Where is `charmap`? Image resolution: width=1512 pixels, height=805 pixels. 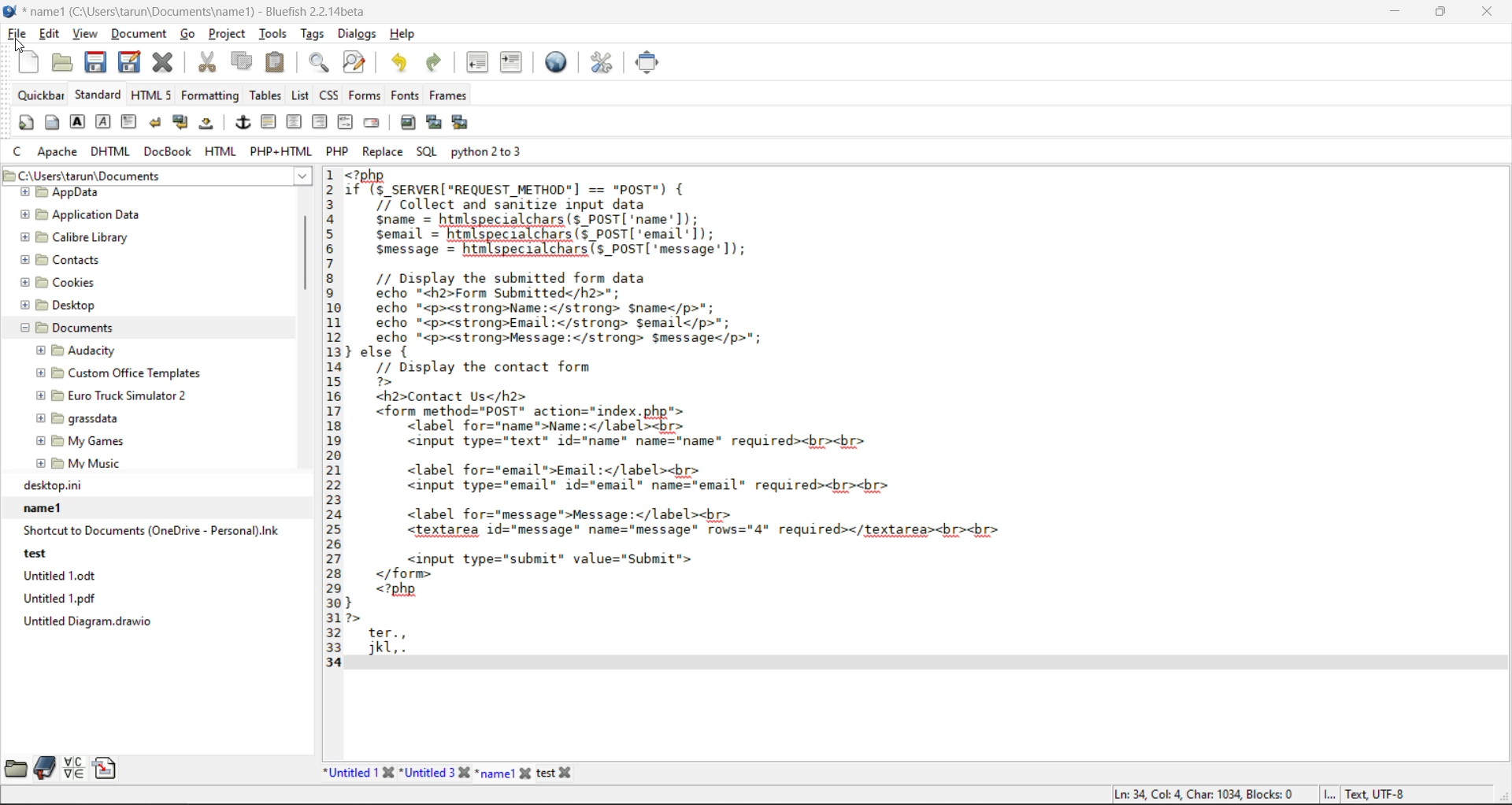
charmap is located at coordinates (74, 768).